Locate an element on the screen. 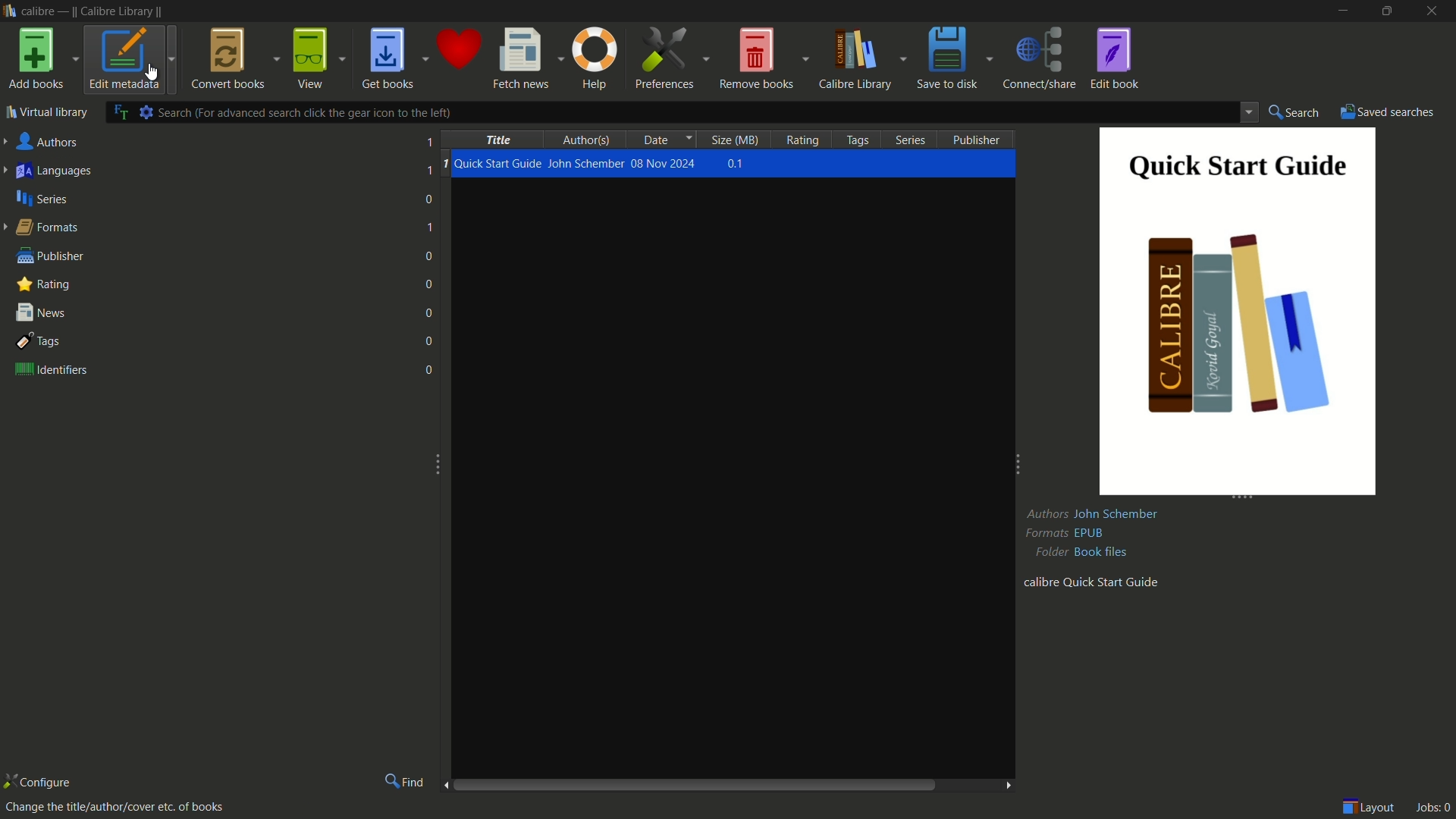 The image size is (1456, 819). saved searches is located at coordinates (1387, 113).